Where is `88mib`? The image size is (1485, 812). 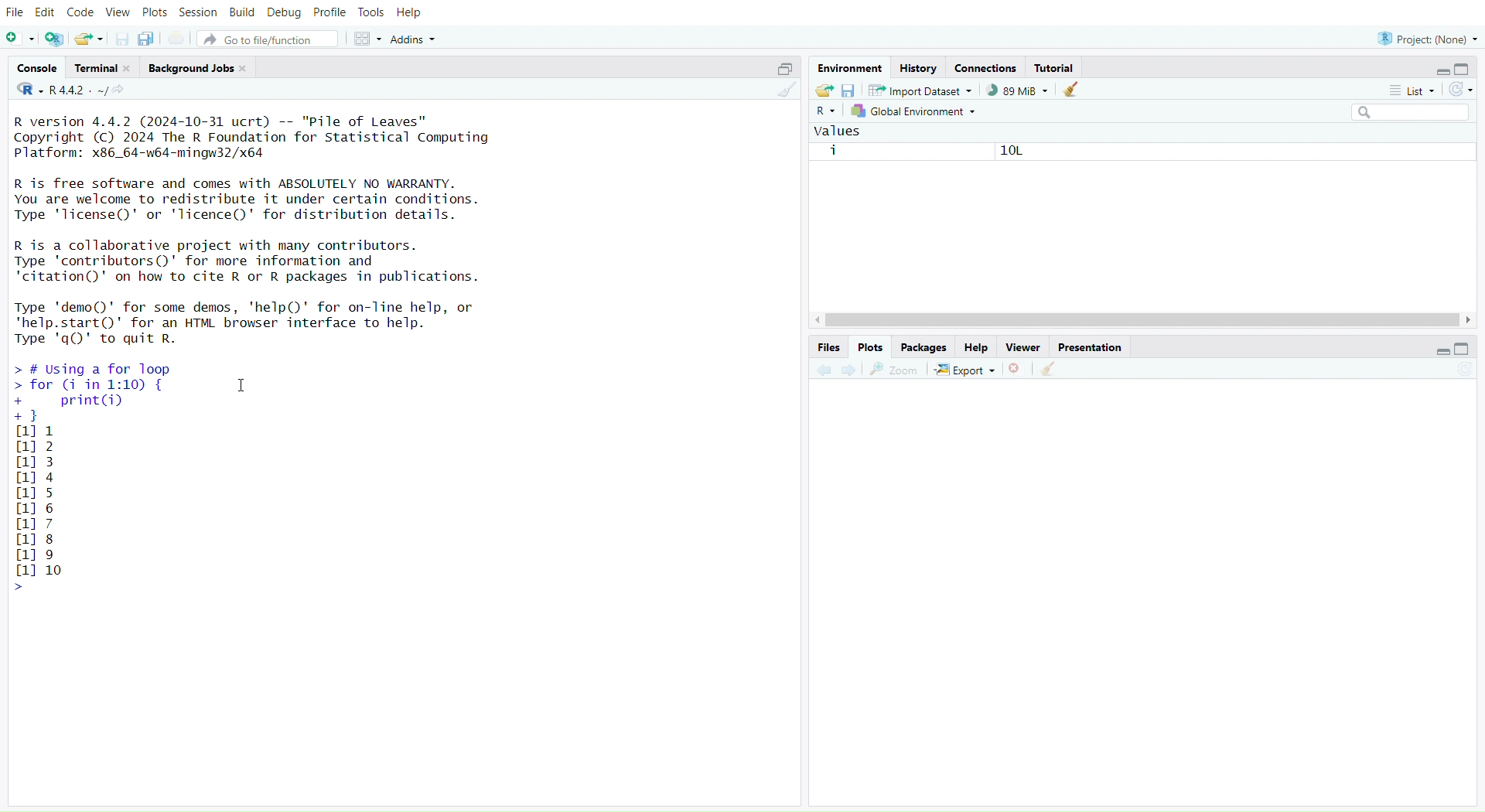
88mib is located at coordinates (1018, 91).